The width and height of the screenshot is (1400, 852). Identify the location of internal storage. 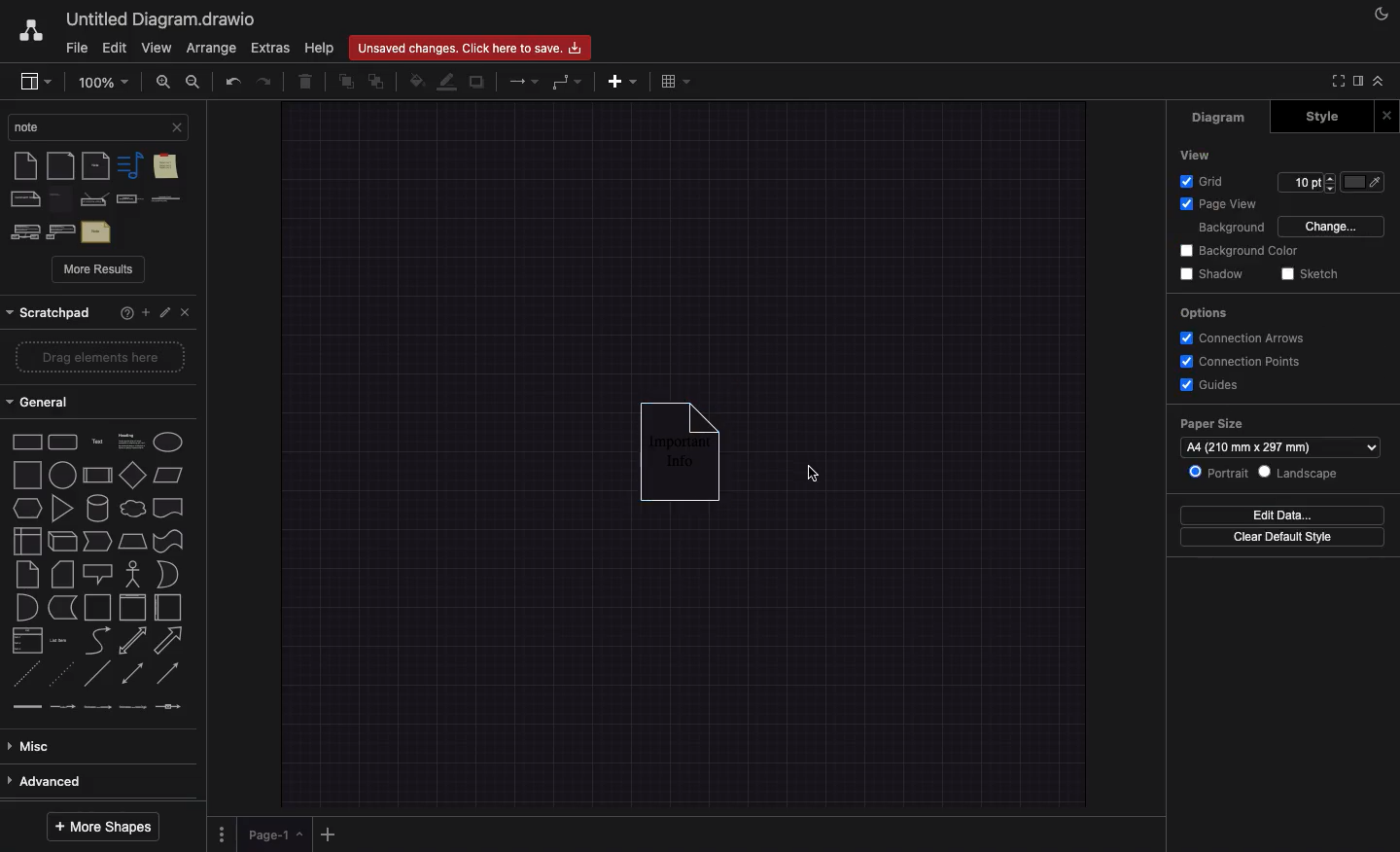
(25, 541).